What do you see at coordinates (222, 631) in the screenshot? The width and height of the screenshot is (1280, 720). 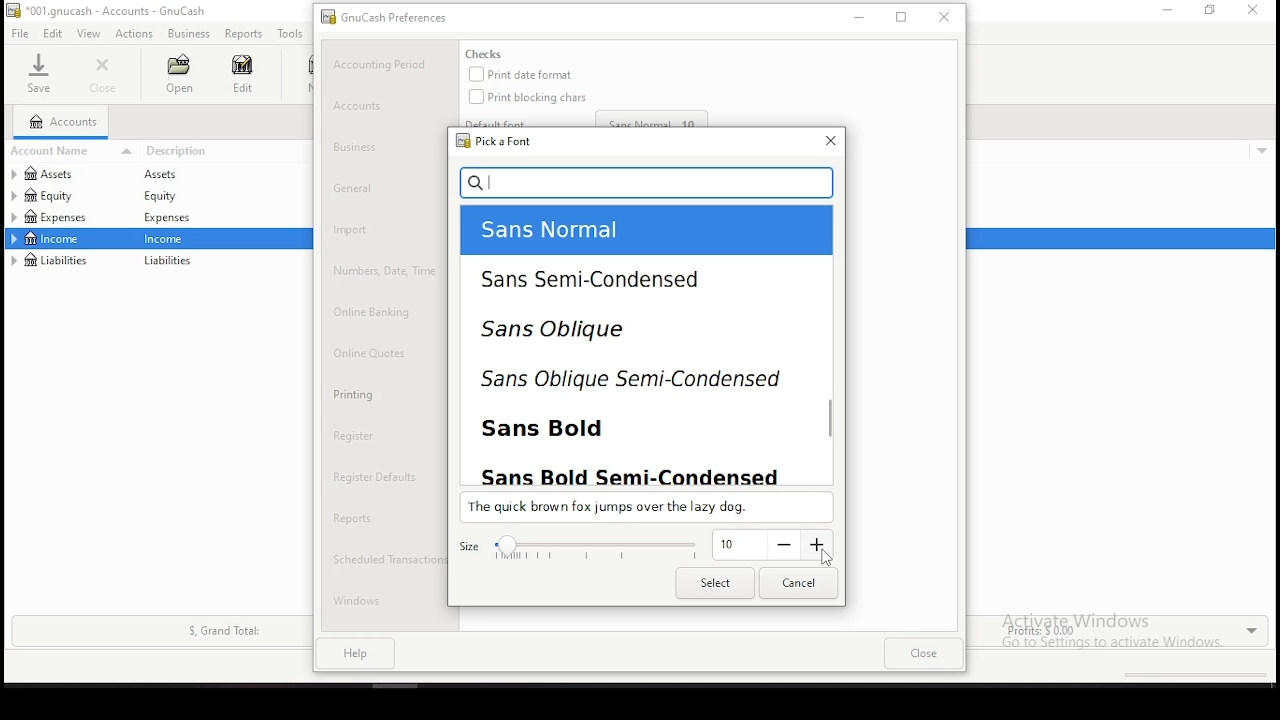 I see `S, Grand Total` at bounding box center [222, 631].